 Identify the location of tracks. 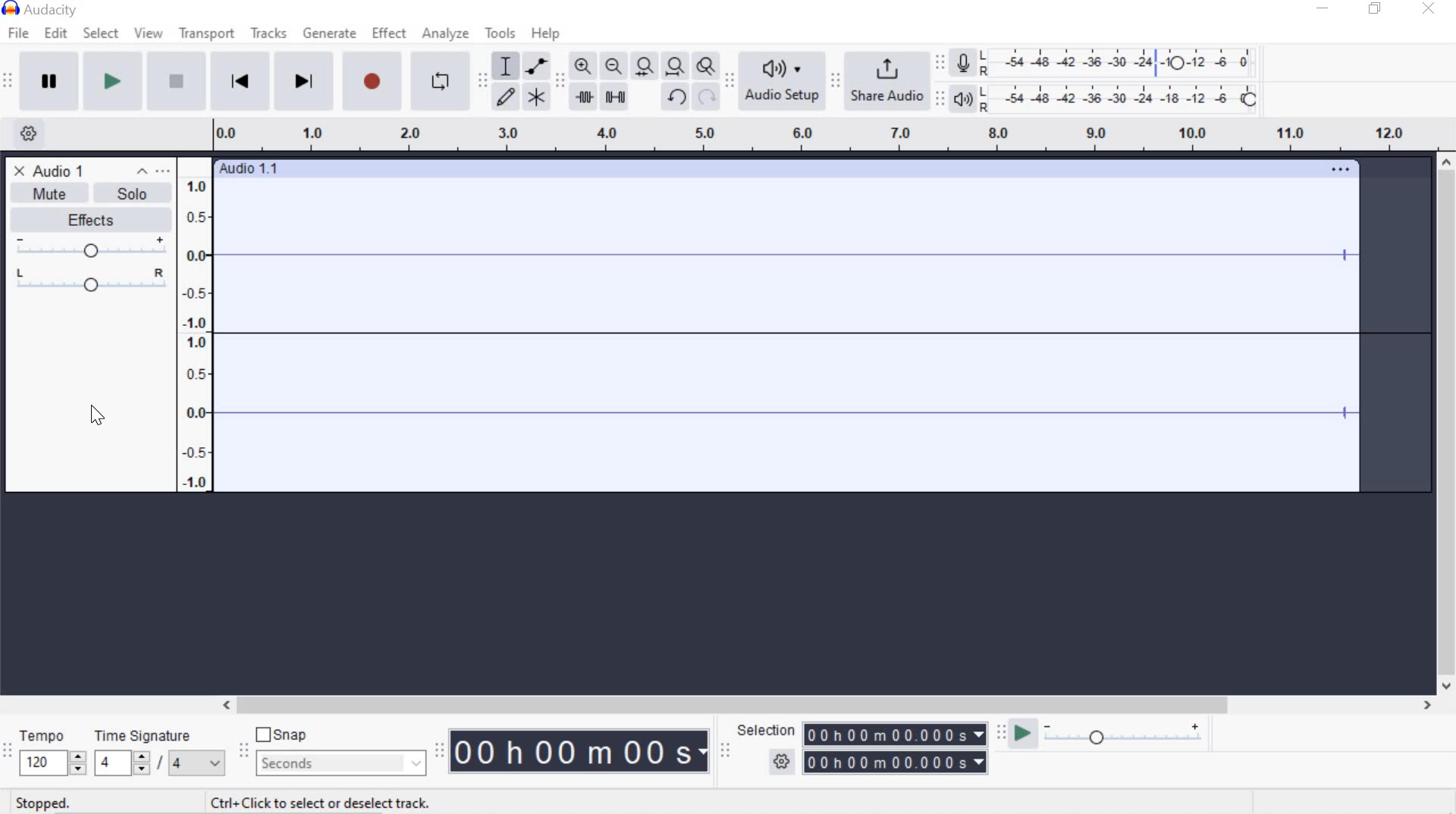
(268, 35).